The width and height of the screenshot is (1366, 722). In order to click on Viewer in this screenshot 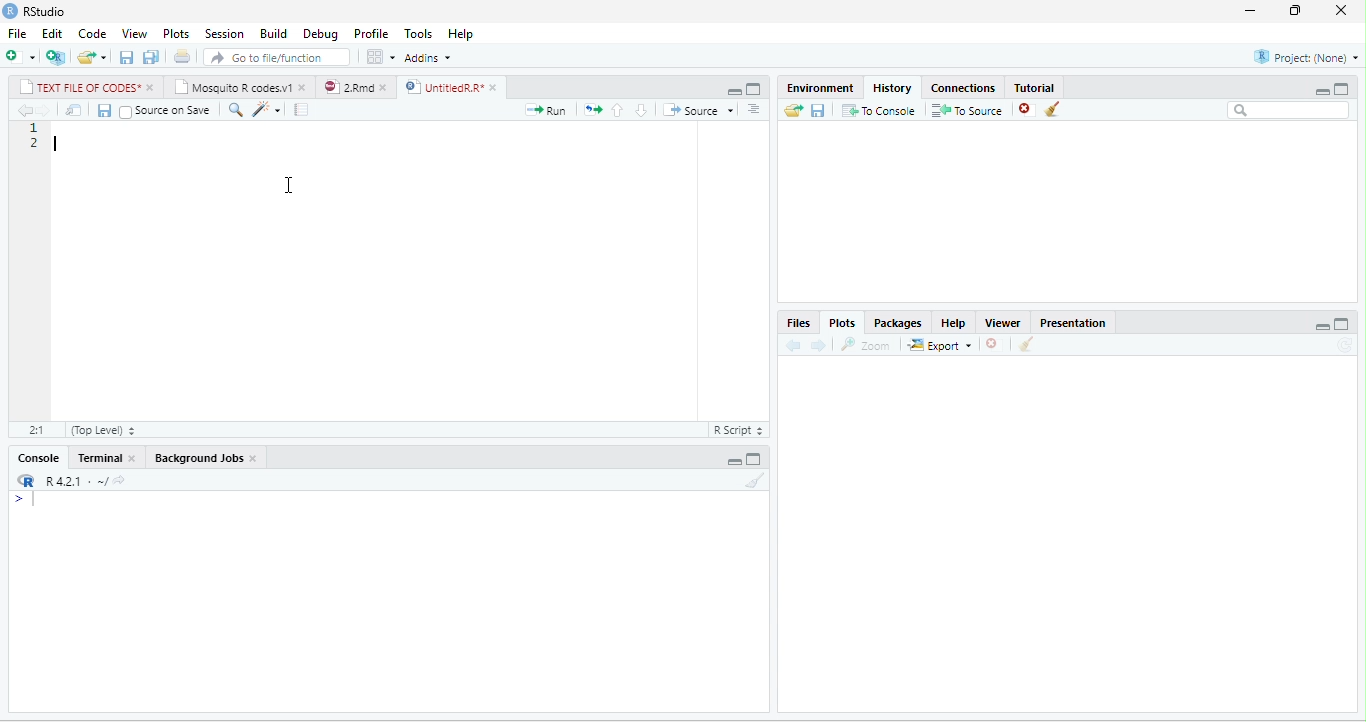, I will do `click(1002, 323)`.